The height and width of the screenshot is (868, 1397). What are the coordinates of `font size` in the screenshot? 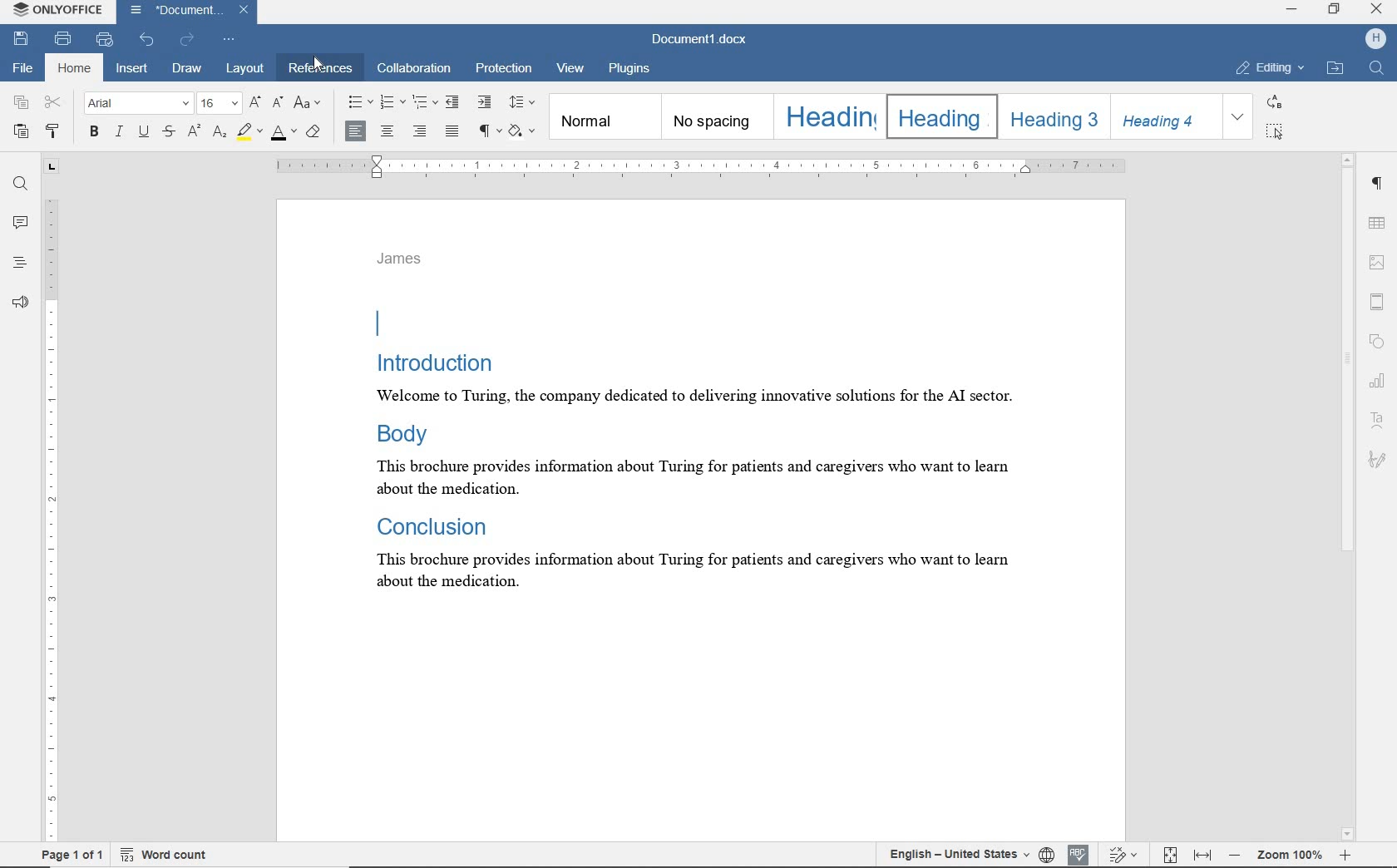 It's located at (220, 104).